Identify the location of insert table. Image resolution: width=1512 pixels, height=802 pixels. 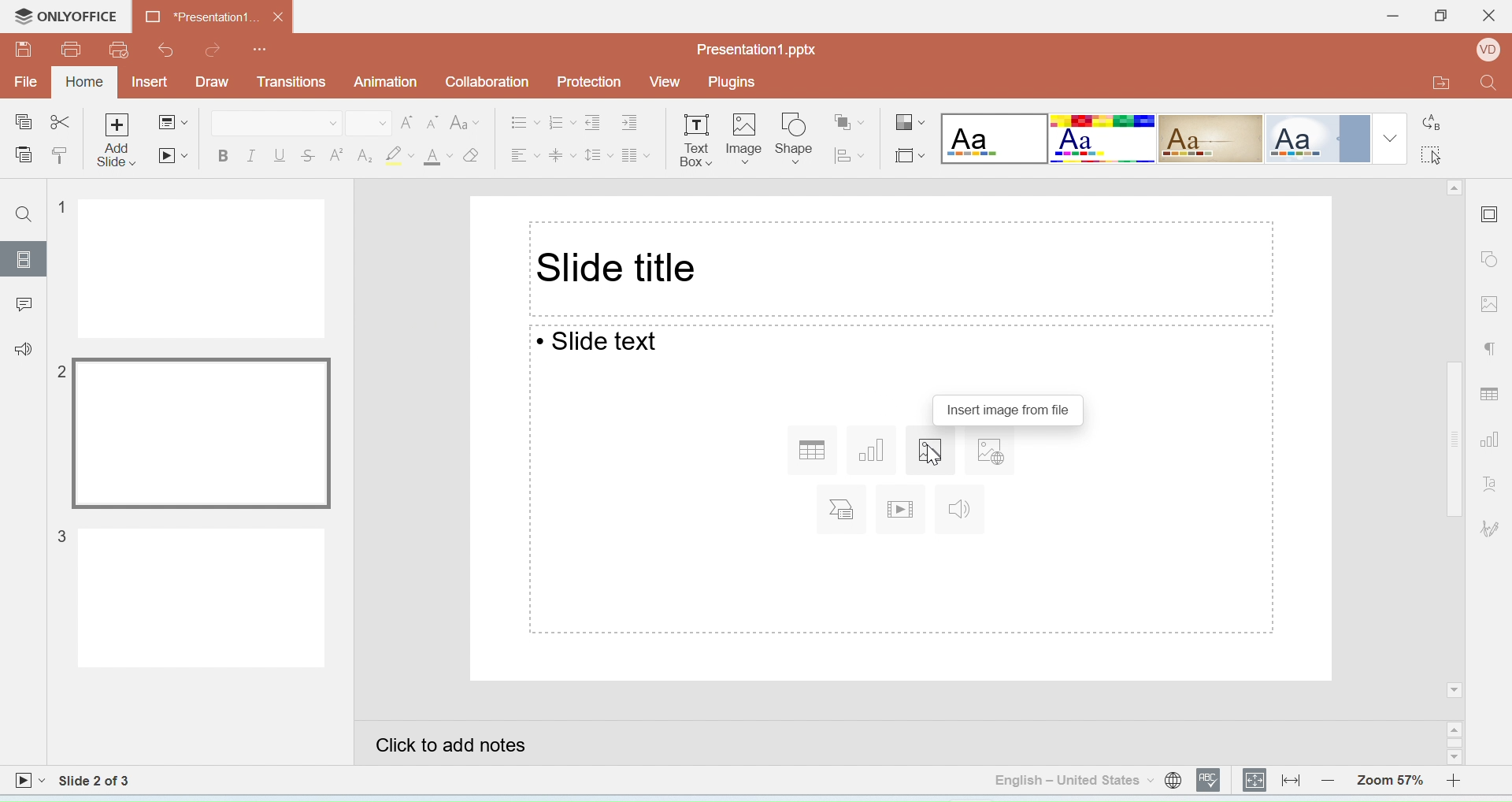
(810, 450).